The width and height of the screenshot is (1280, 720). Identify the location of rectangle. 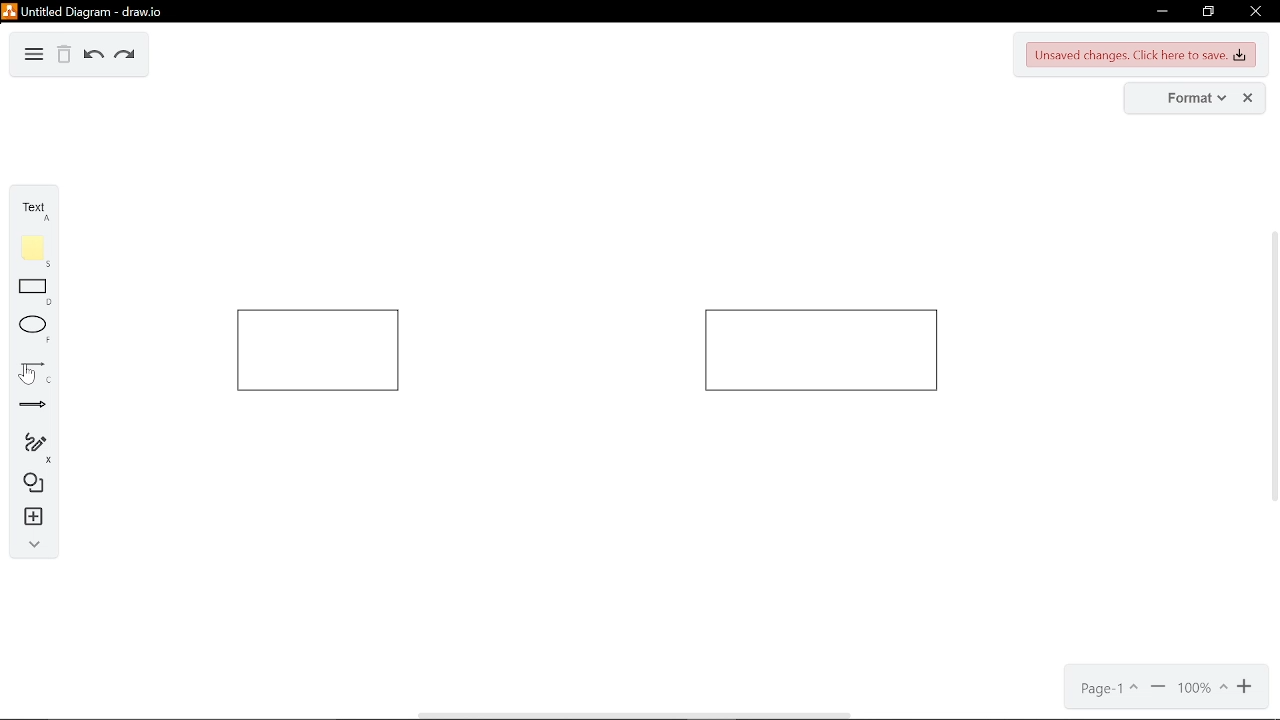
(31, 295).